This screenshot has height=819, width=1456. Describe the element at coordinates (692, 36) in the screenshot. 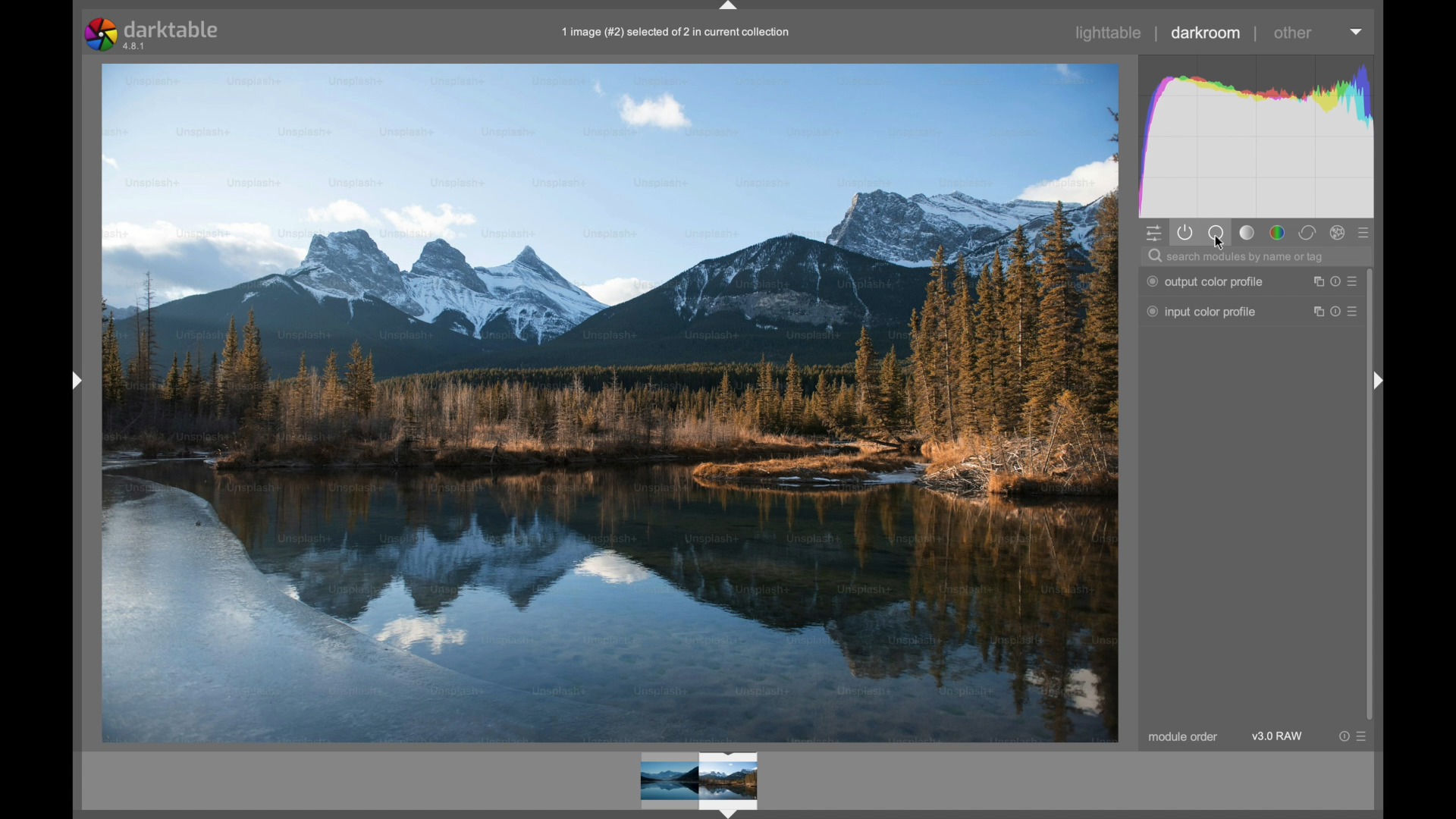

I see `1 image (#2) selected of 2 in current collection` at that location.